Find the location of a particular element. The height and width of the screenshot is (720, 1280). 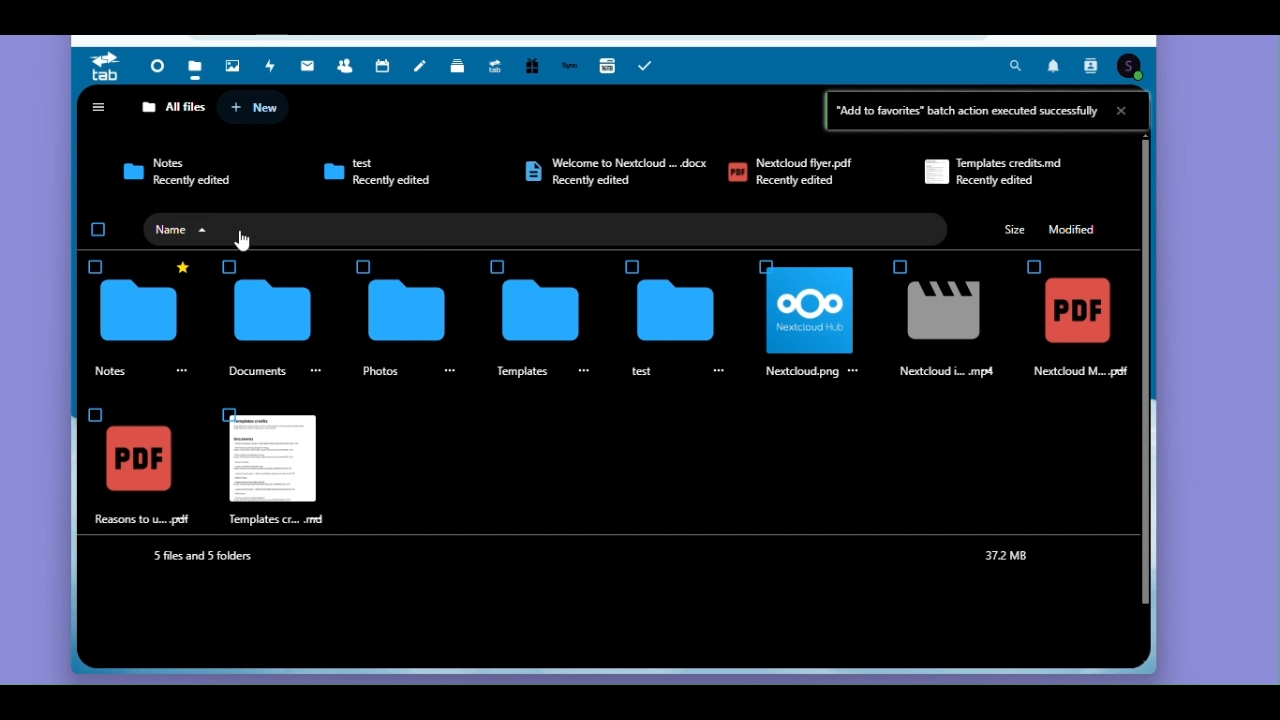

Notes is located at coordinates (262, 370).